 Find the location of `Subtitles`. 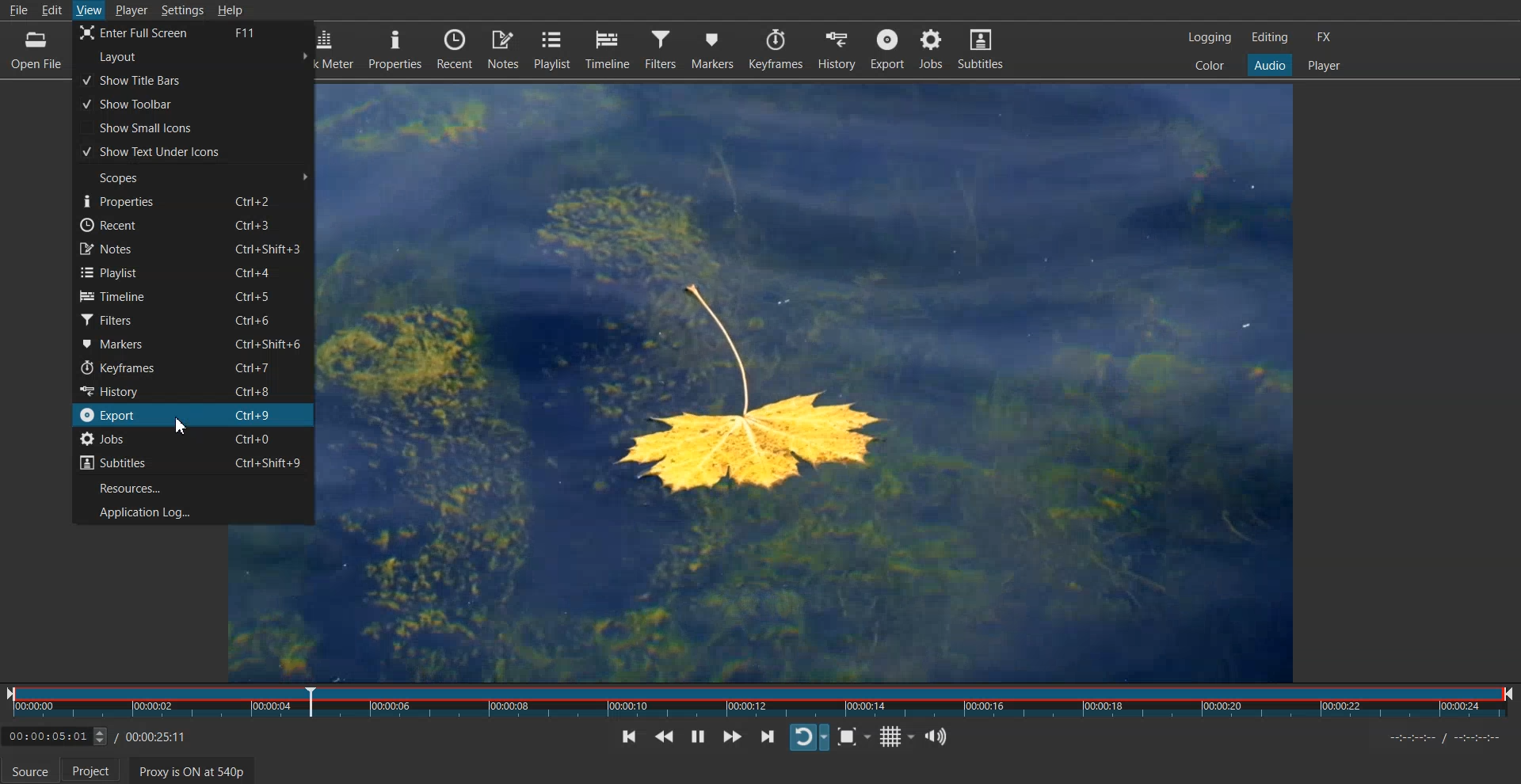

Subtitles is located at coordinates (981, 48).